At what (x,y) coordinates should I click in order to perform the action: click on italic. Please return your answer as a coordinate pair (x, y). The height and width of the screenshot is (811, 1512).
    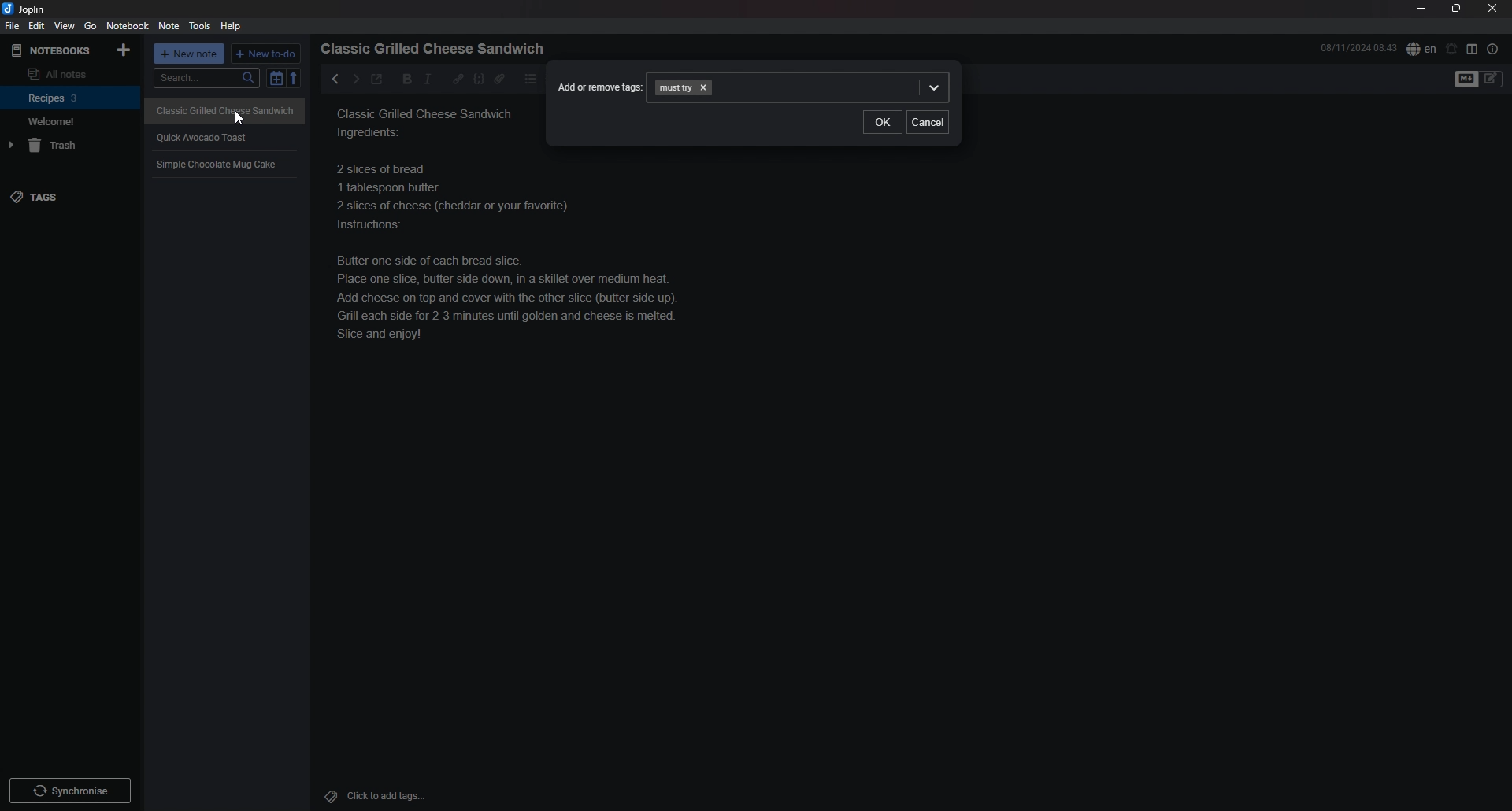
    Looking at the image, I should click on (428, 79).